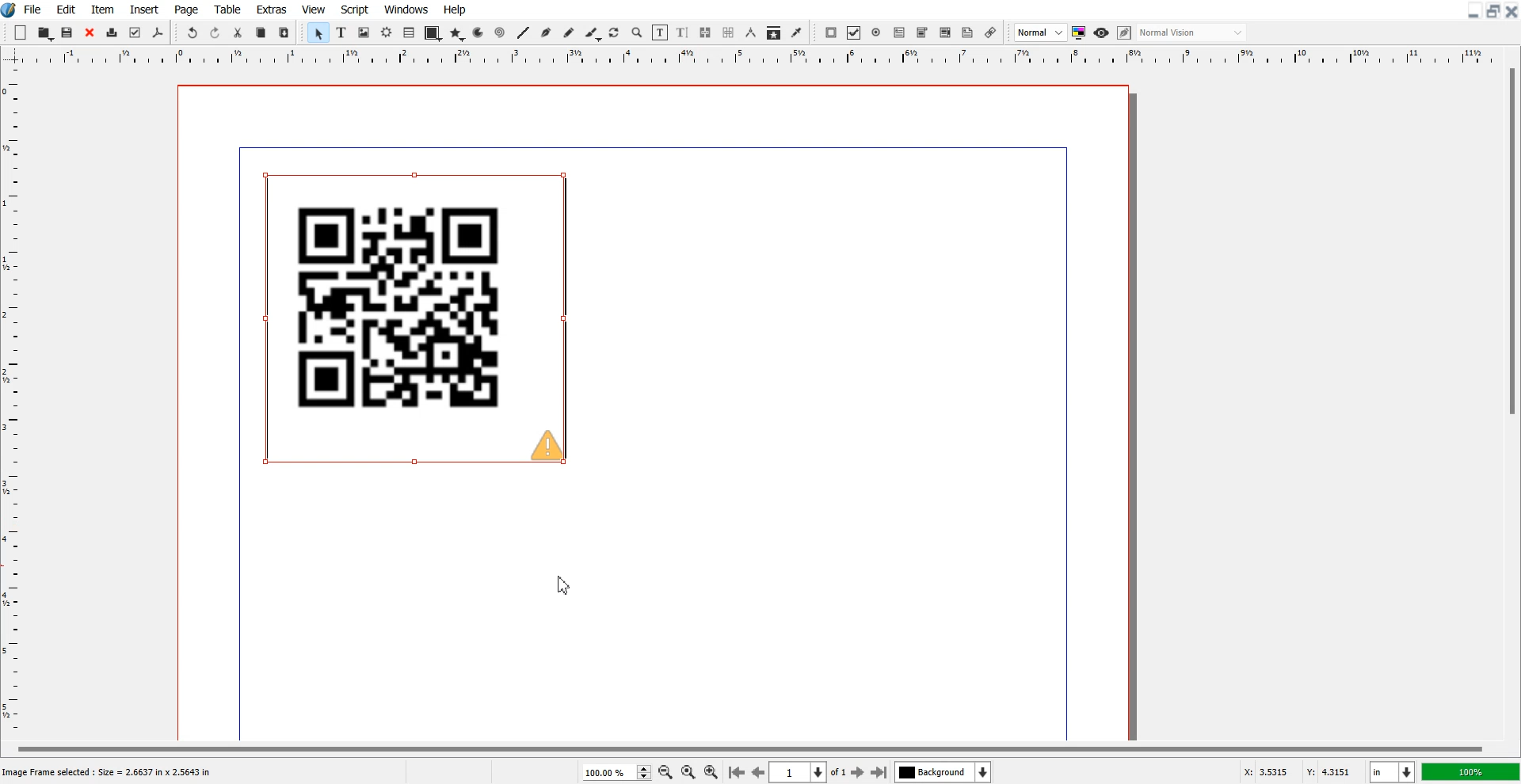  I want to click on Cut, so click(238, 32).